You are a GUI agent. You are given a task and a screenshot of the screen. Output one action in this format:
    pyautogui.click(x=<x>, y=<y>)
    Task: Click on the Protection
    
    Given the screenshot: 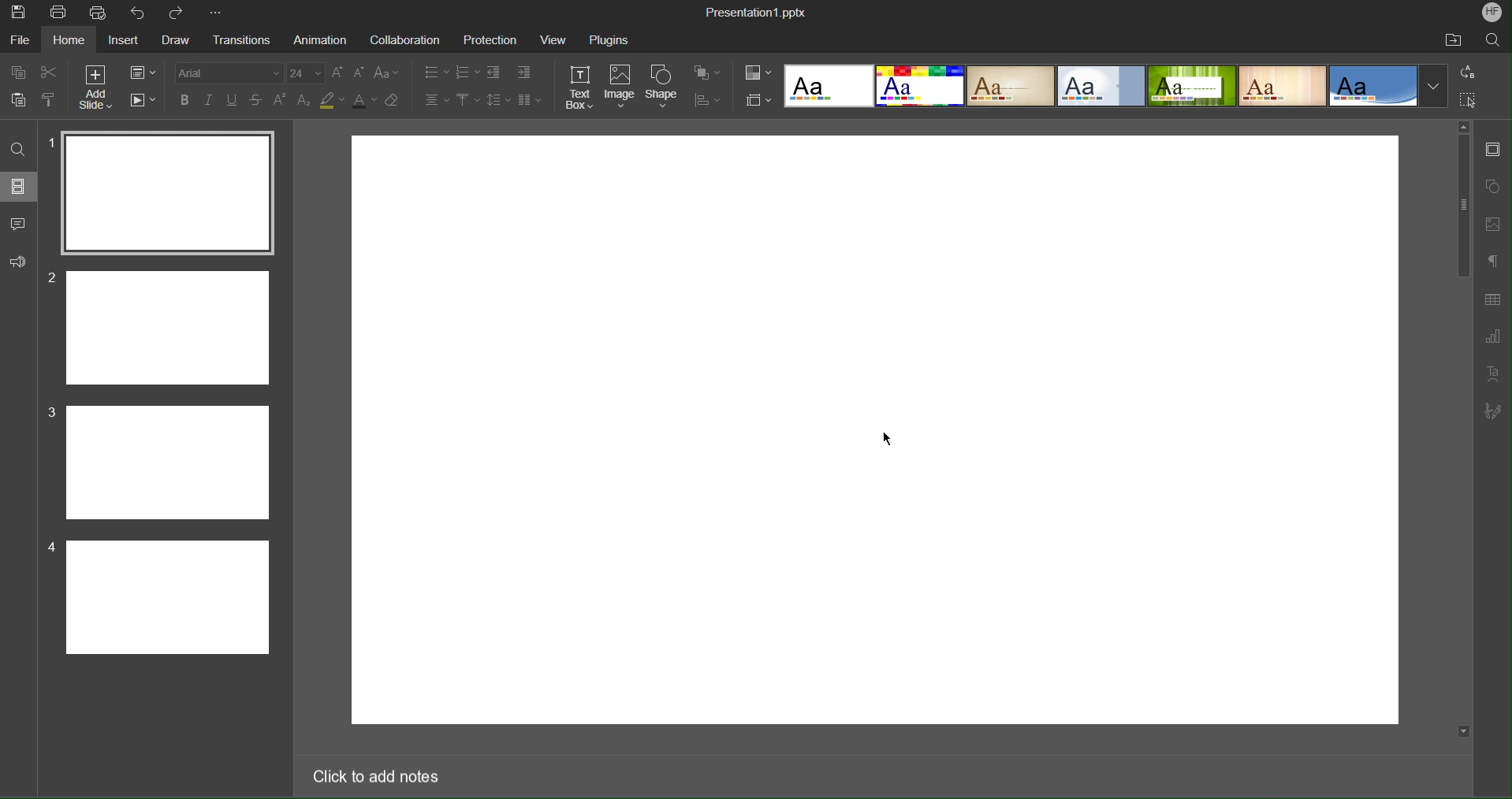 What is the action you would take?
    pyautogui.click(x=490, y=39)
    